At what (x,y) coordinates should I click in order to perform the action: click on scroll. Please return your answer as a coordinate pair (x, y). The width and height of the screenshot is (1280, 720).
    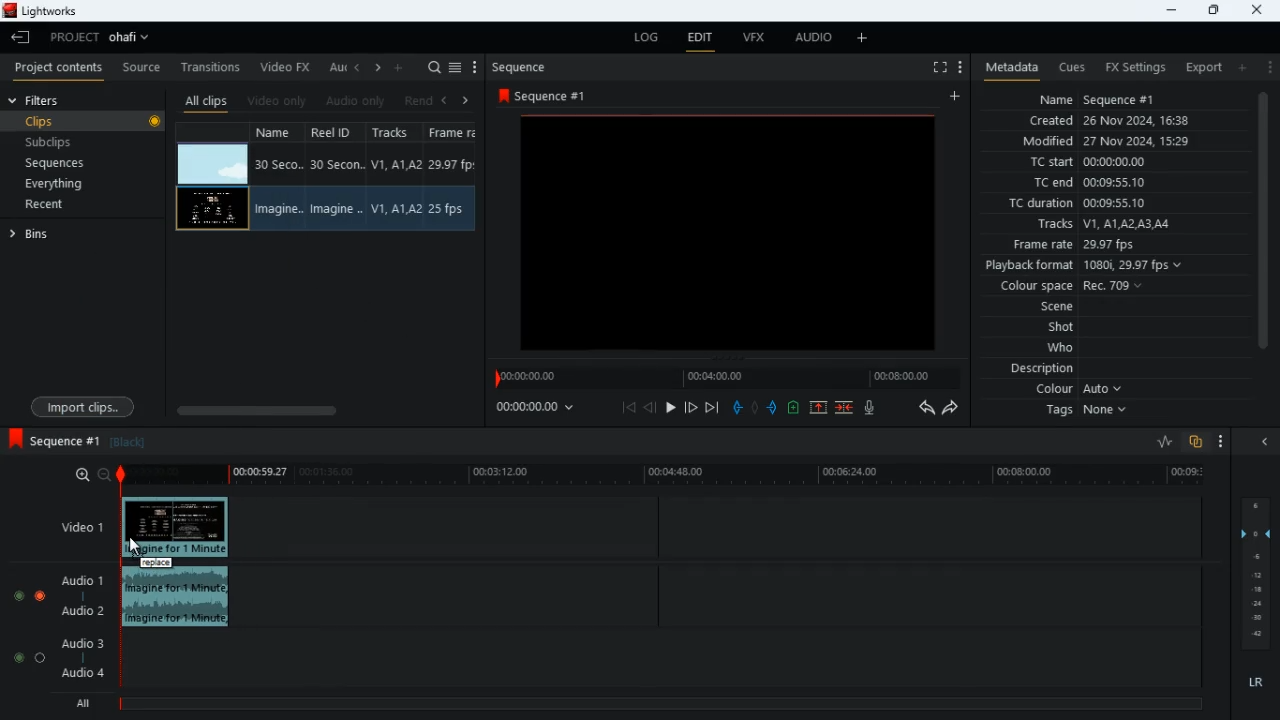
    Looking at the image, I should click on (1262, 231).